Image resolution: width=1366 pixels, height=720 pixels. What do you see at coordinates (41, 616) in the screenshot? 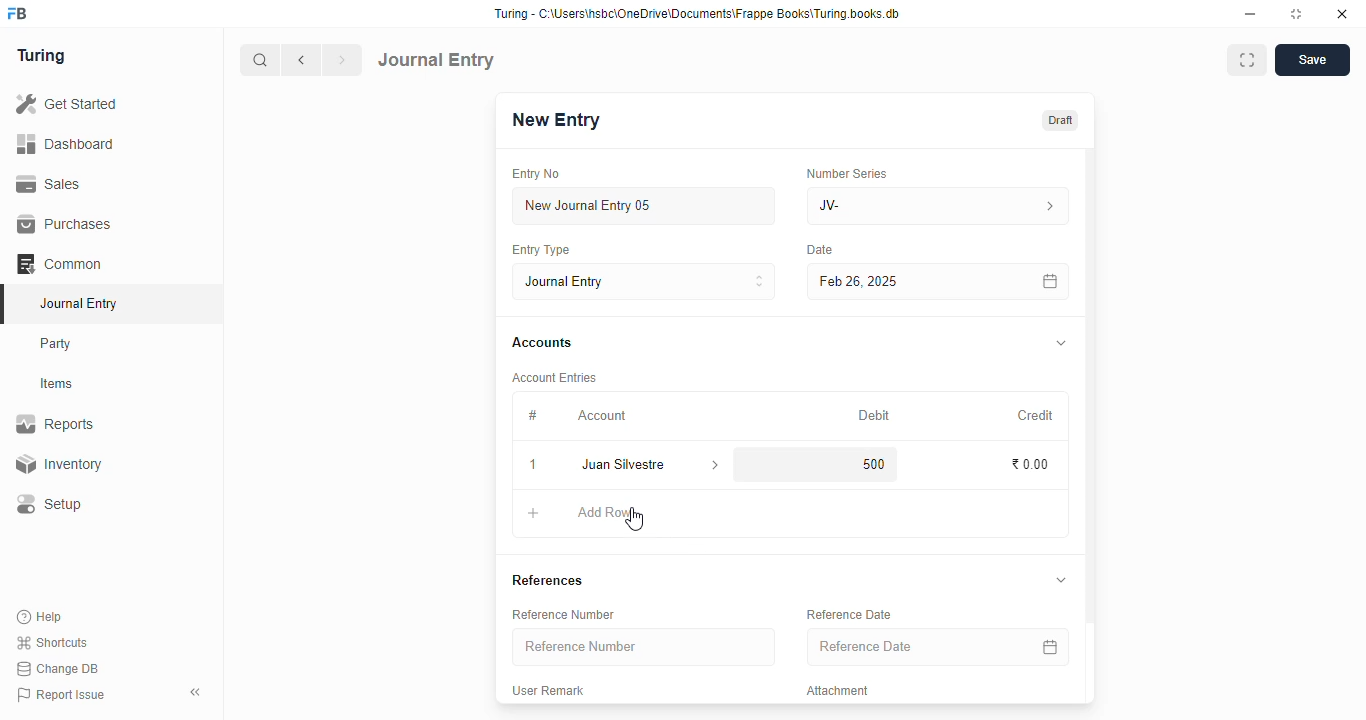
I see `help` at bounding box center [41, 616].